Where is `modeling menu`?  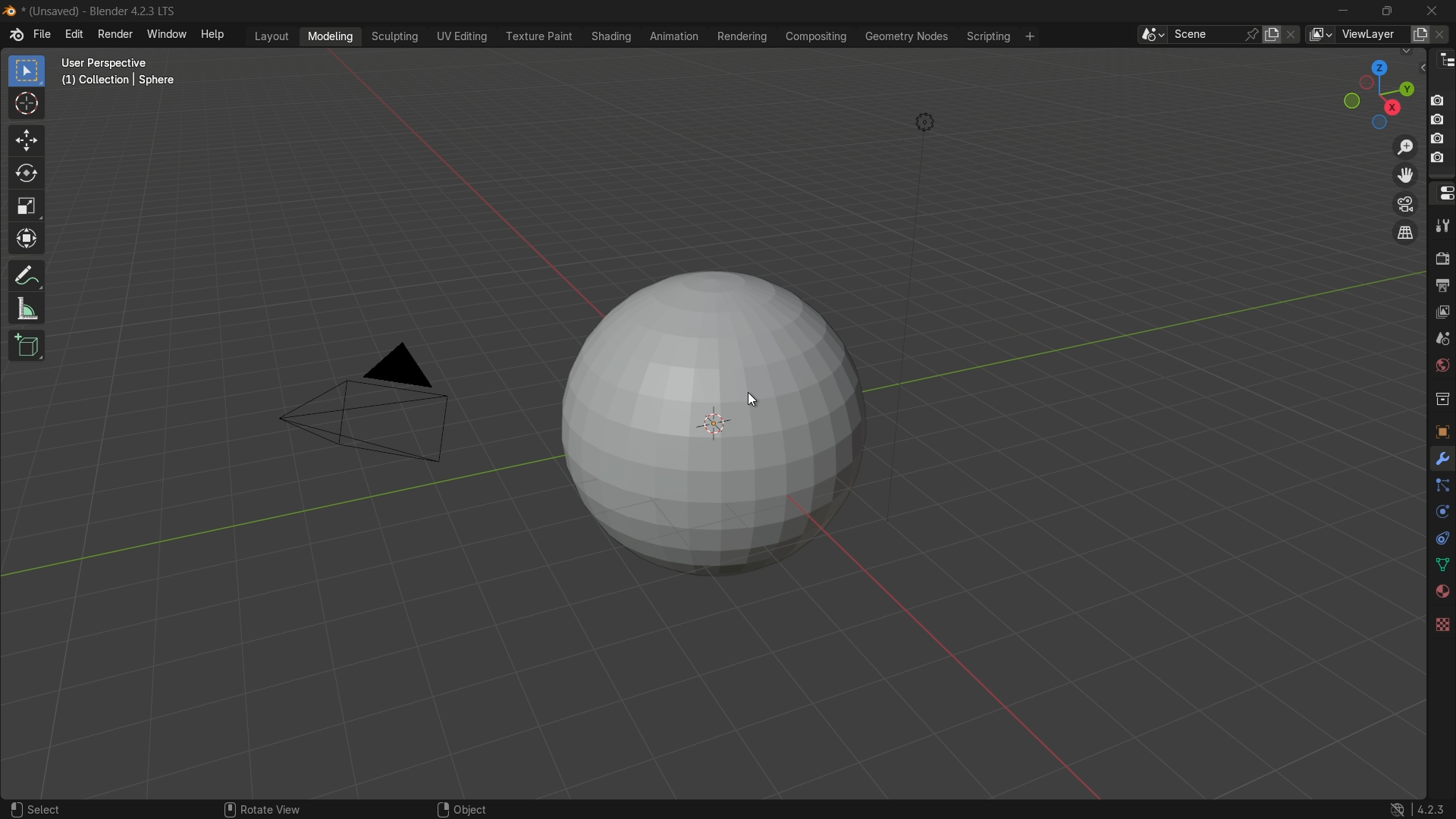 modeling menu is located at coordinates (331, 37).